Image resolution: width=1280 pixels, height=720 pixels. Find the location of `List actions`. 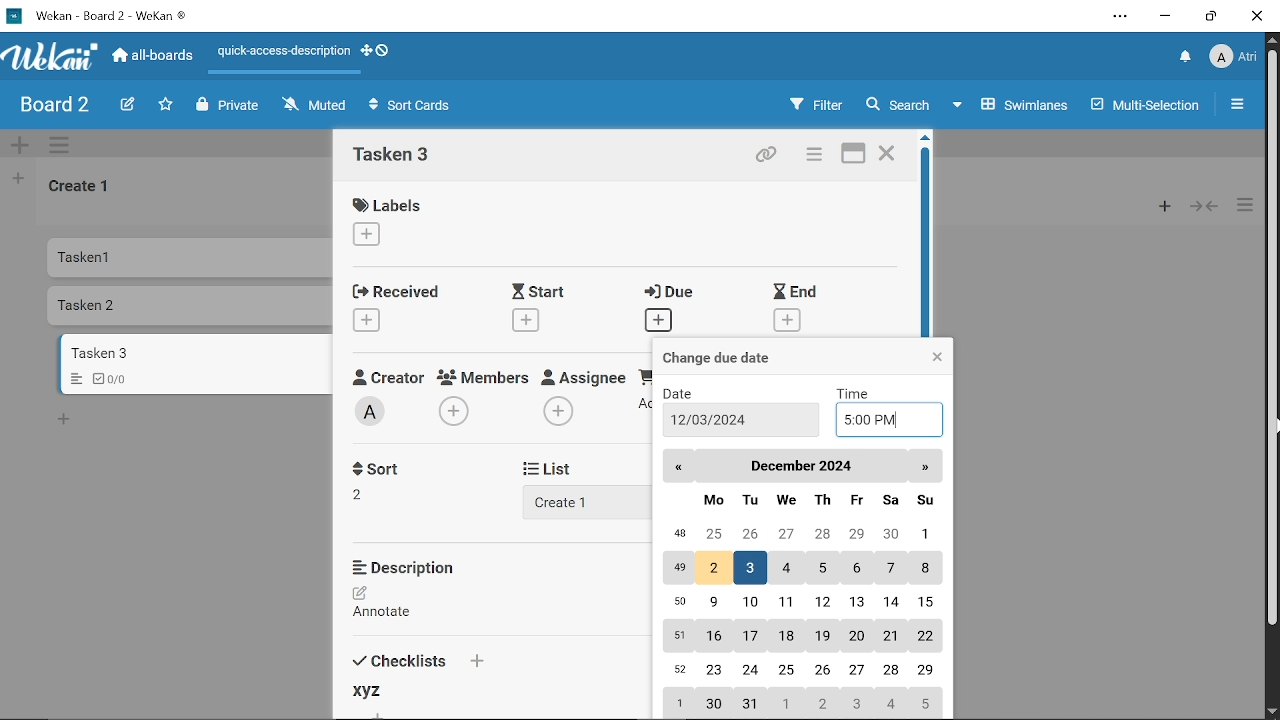

List actions is located at coordinates (1247, 206).